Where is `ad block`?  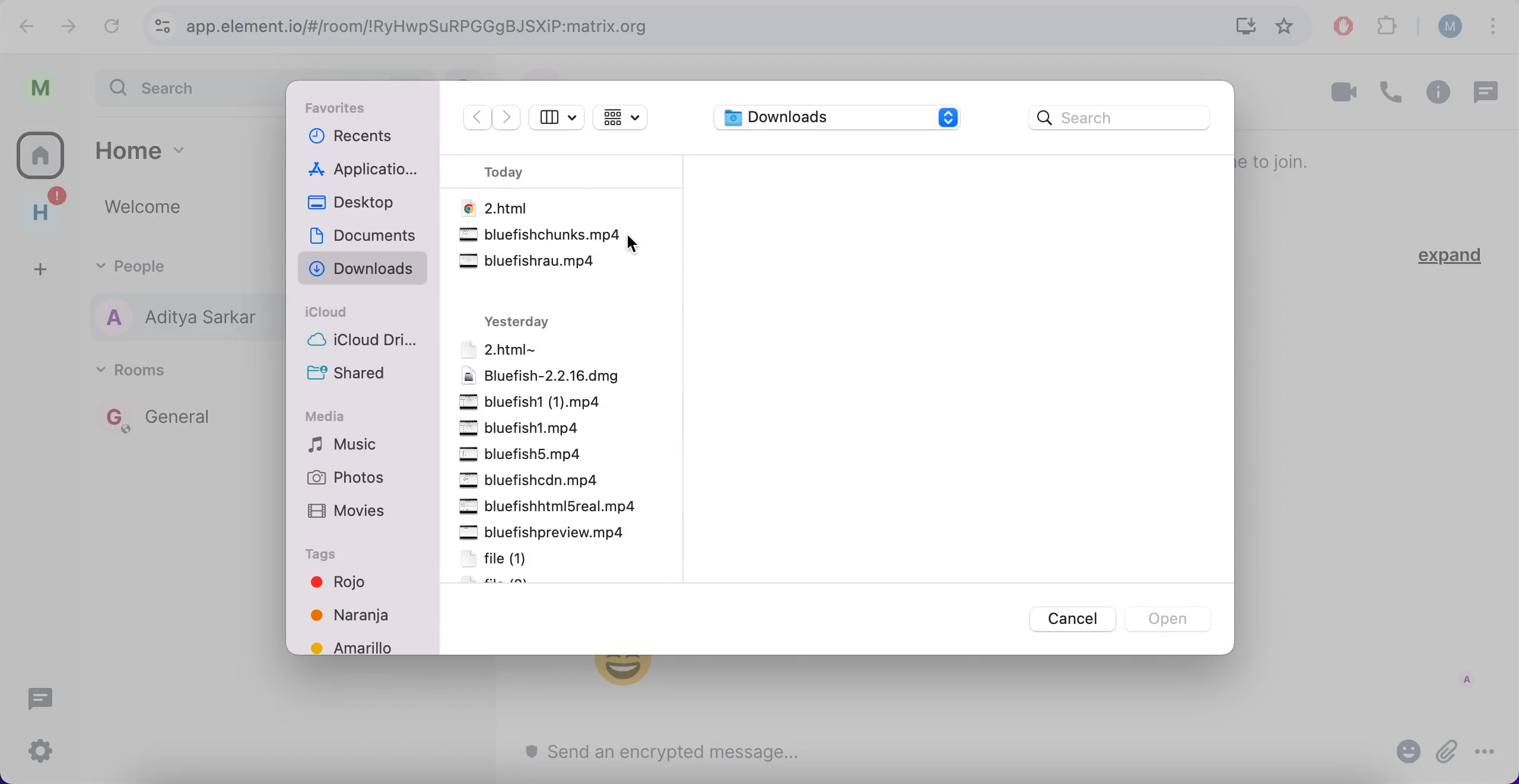
ad block is located at coordinates (1342, 27).